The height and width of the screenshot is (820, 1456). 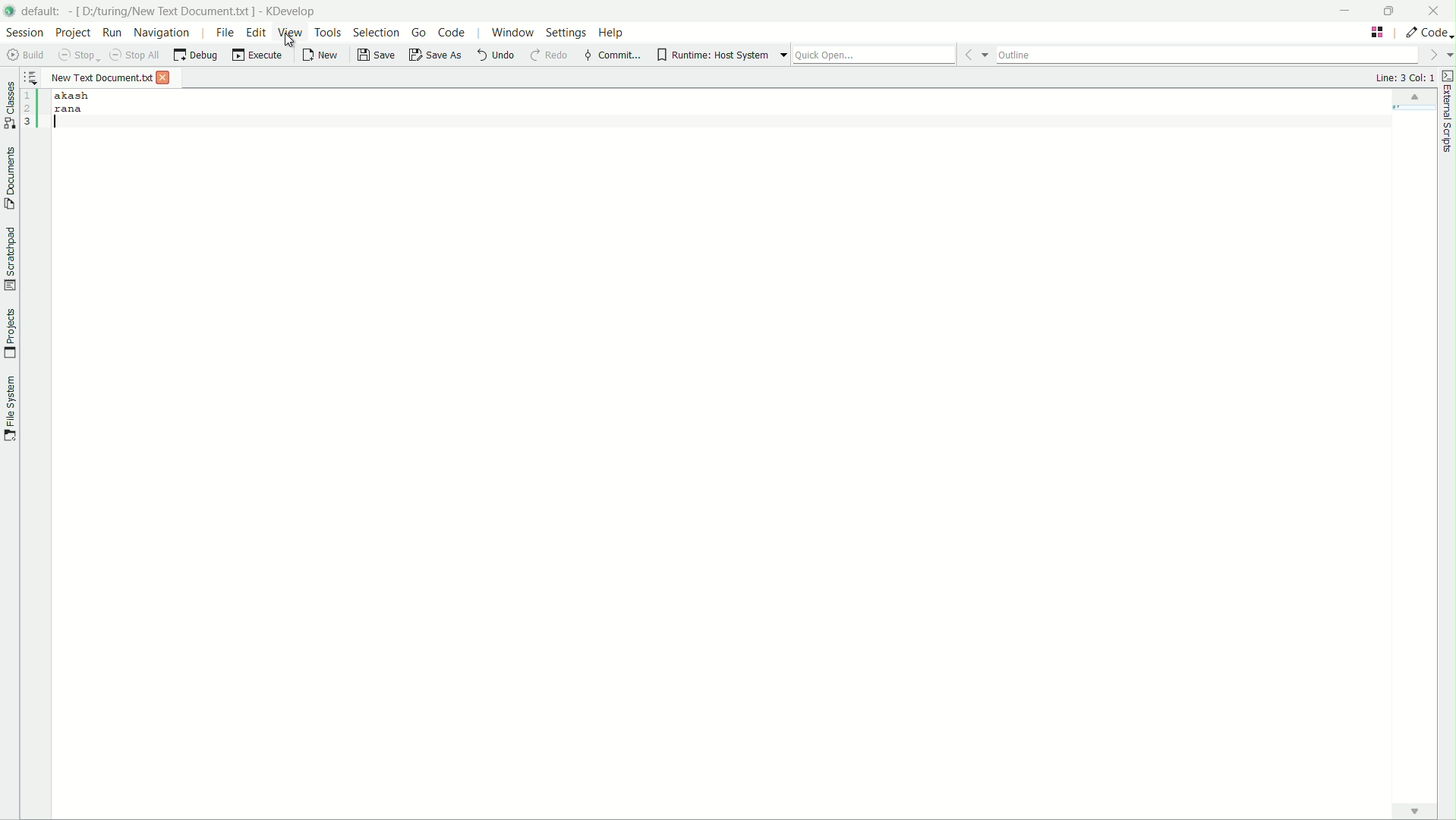 I want to click on redo, so click(x=553, y=56).